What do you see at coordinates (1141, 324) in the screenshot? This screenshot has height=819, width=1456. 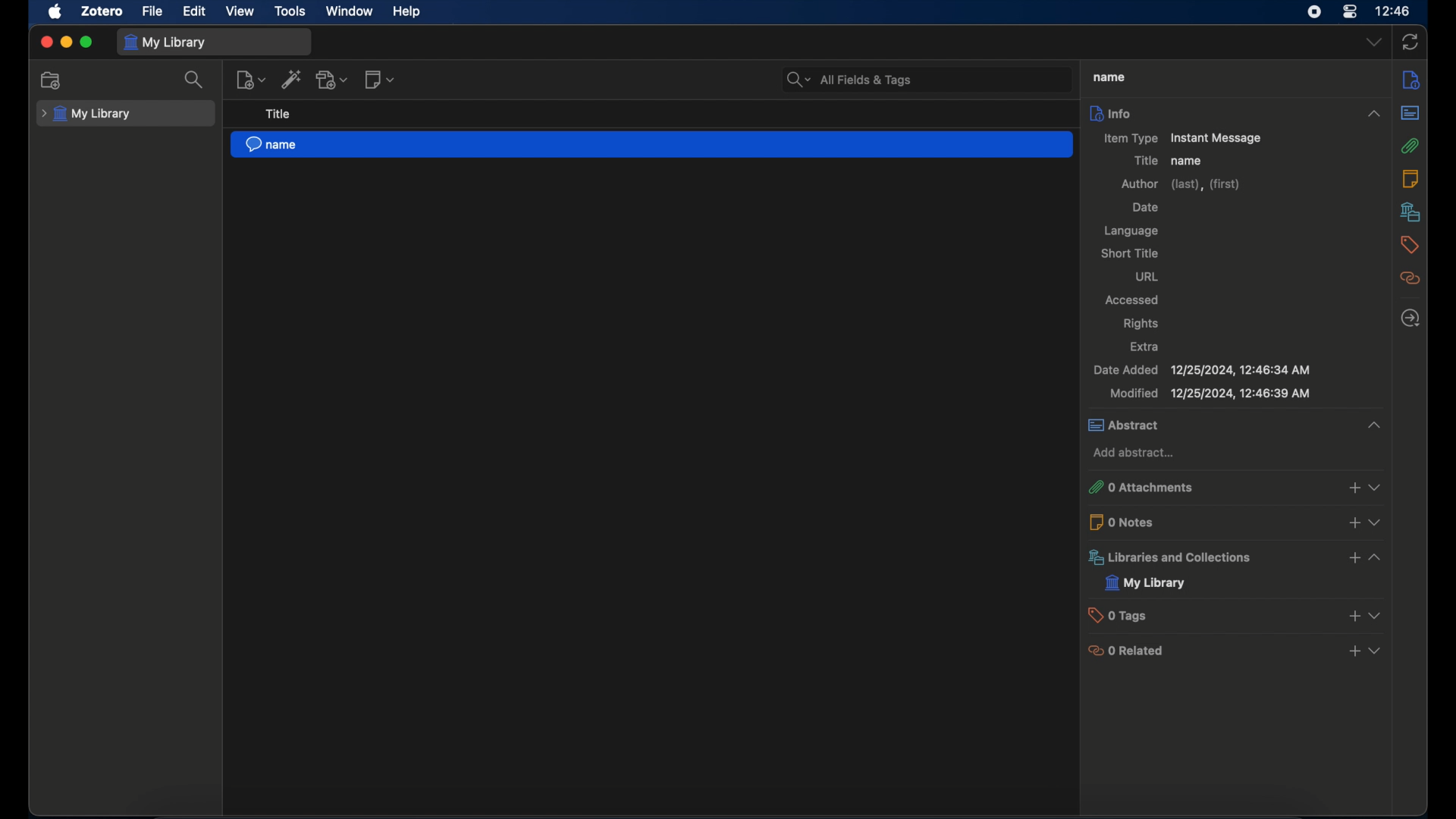 I see `rights` at bounding box center [1141, 324].